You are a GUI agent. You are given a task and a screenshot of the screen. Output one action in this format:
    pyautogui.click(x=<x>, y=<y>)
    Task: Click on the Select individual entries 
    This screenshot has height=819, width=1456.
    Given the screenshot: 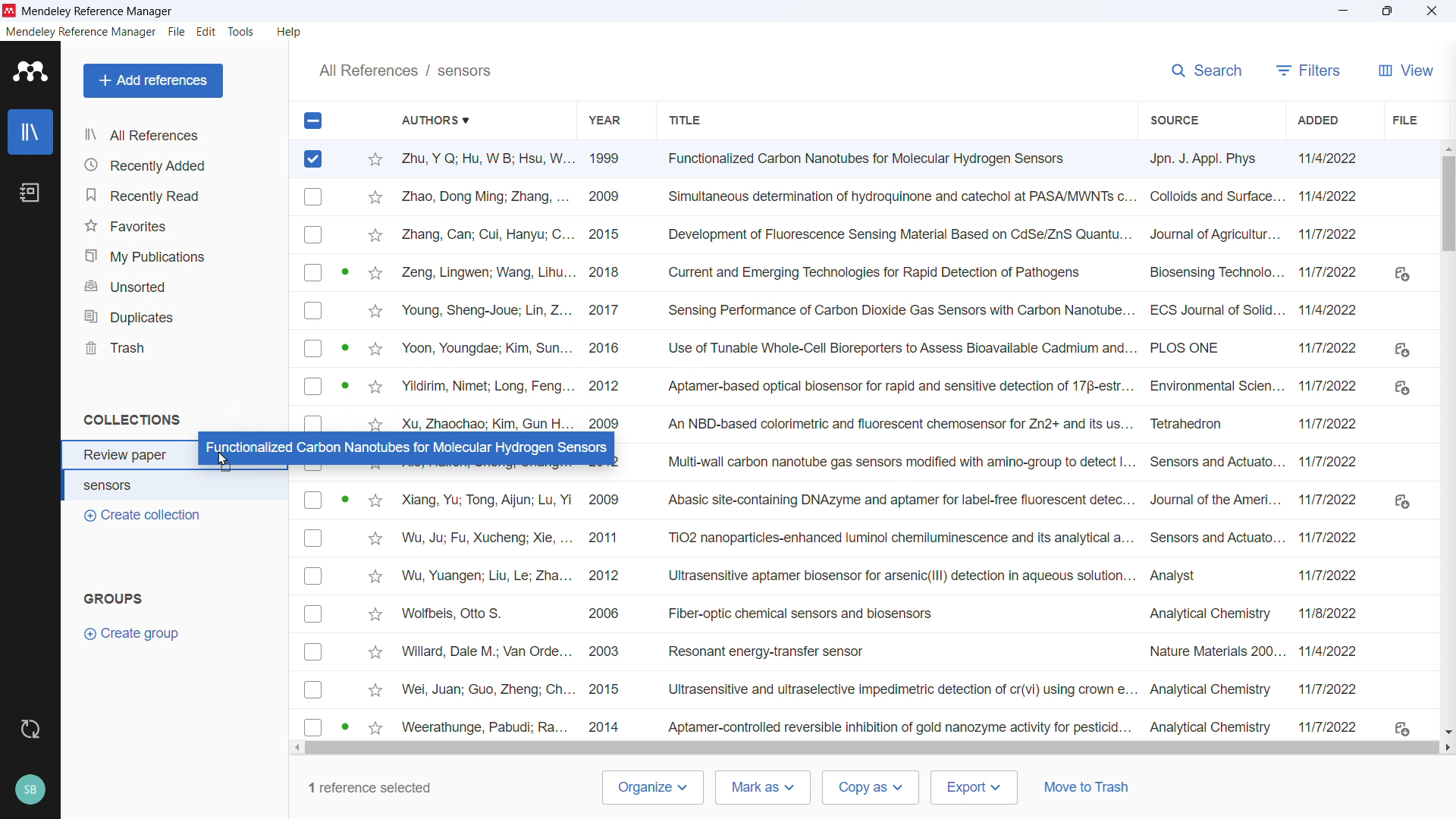 What is the action you would take?
    pyautogui.click(x=312, y=304)
    